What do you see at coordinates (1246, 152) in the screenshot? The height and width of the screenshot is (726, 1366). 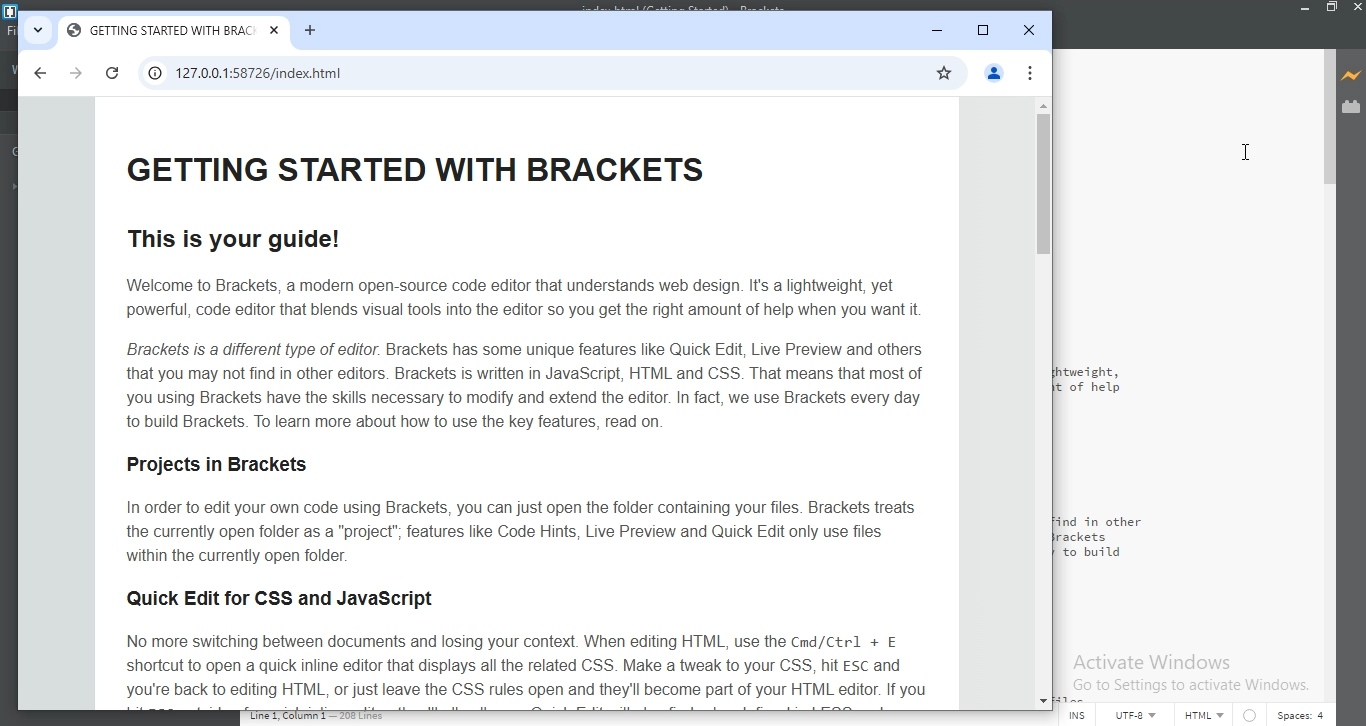 I see `cursor` at bounding box center [1246, 152].